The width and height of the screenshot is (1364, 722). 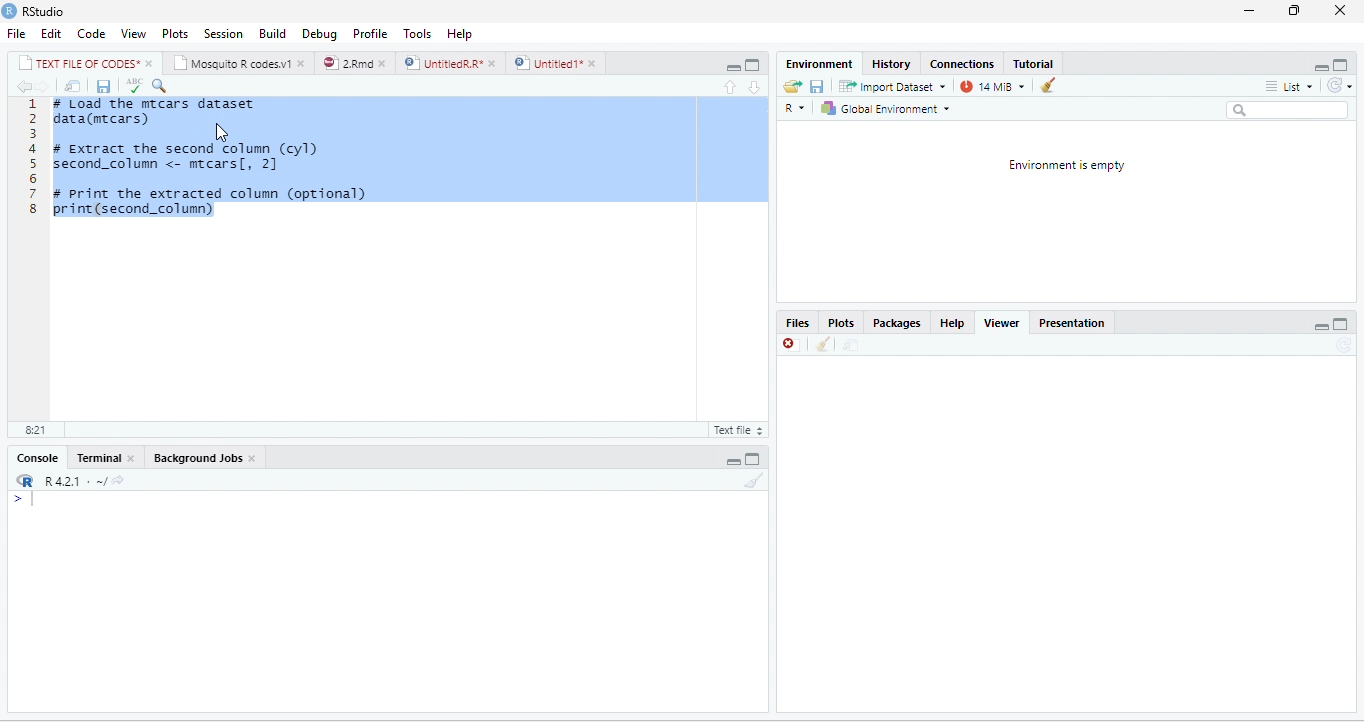 What do you see at coordinates (1292, 12) in the screenshot?
I see `restore down` at bounding box center [1292, 12].